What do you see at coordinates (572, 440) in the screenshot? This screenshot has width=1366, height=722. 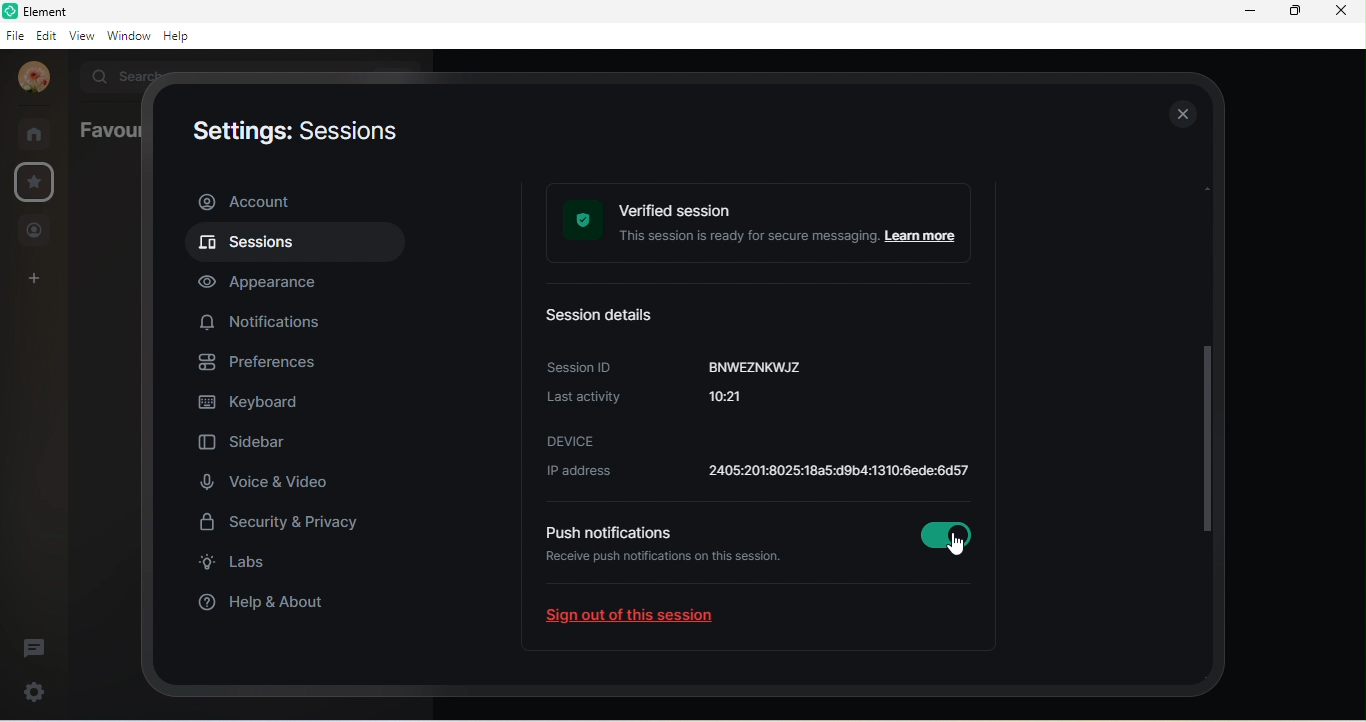 I see `device` at bounding box center [572, 440].